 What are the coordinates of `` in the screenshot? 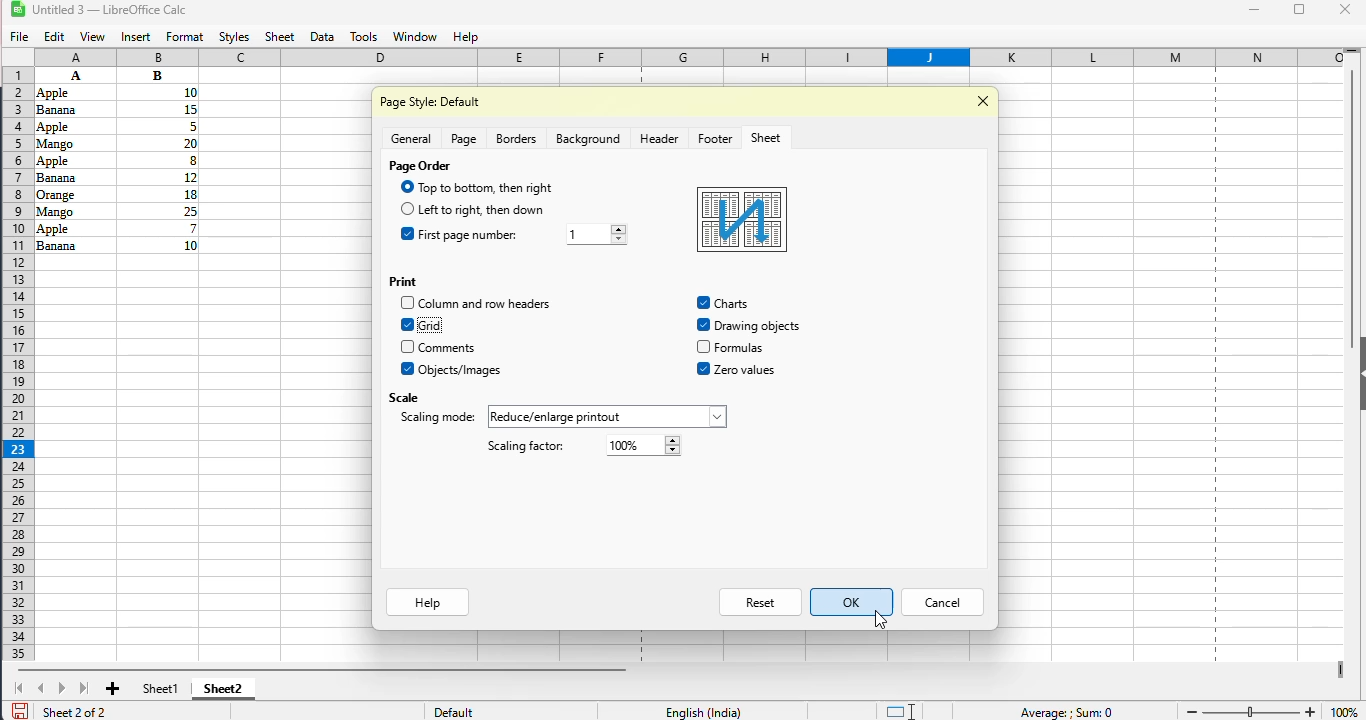 It's located at (158, 176).